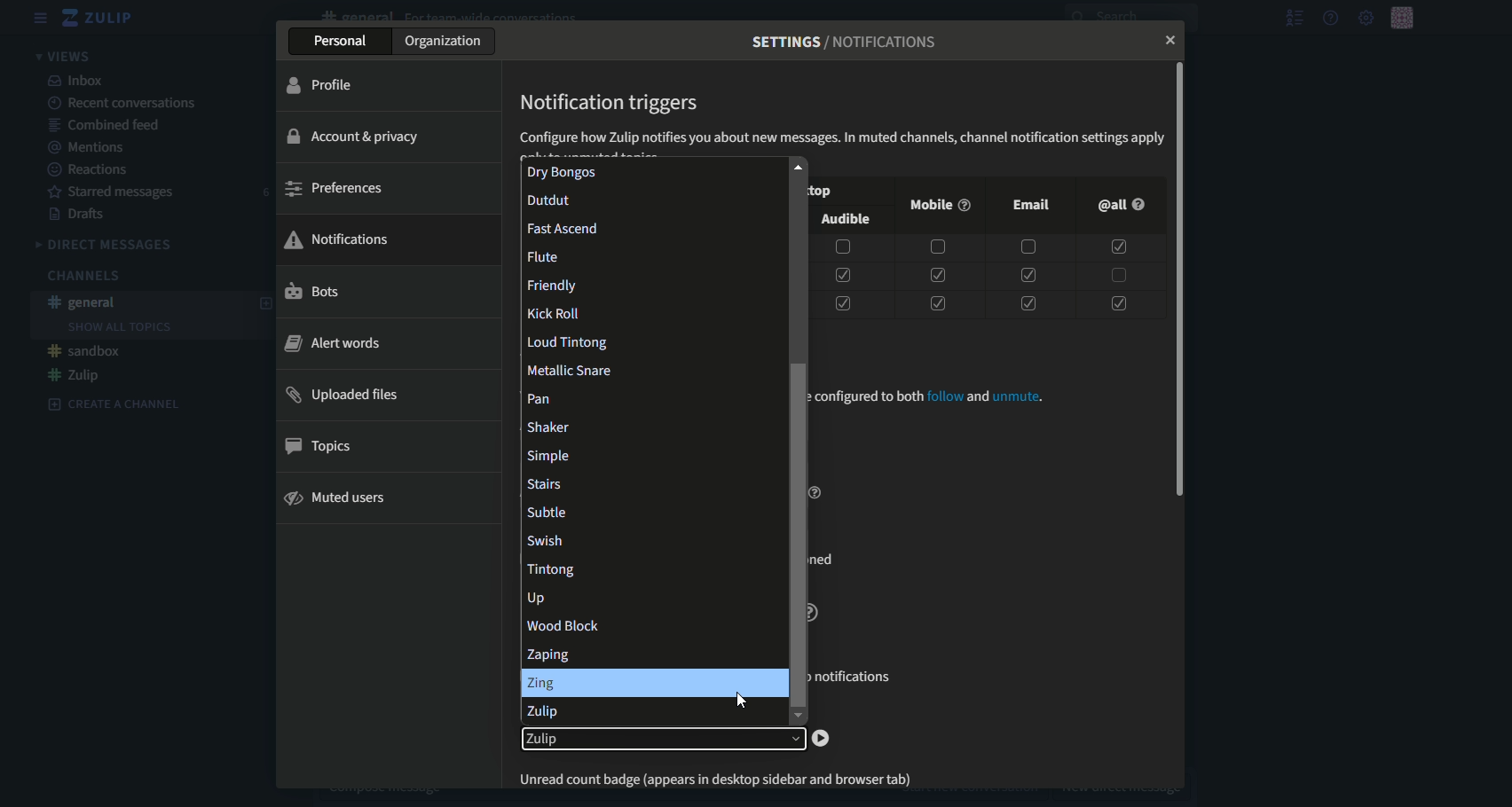 The width and height of the screenshot is (1512, 807). Describe the element at coordinates (654, 539) in the screenshot. I see `swish` at that location.